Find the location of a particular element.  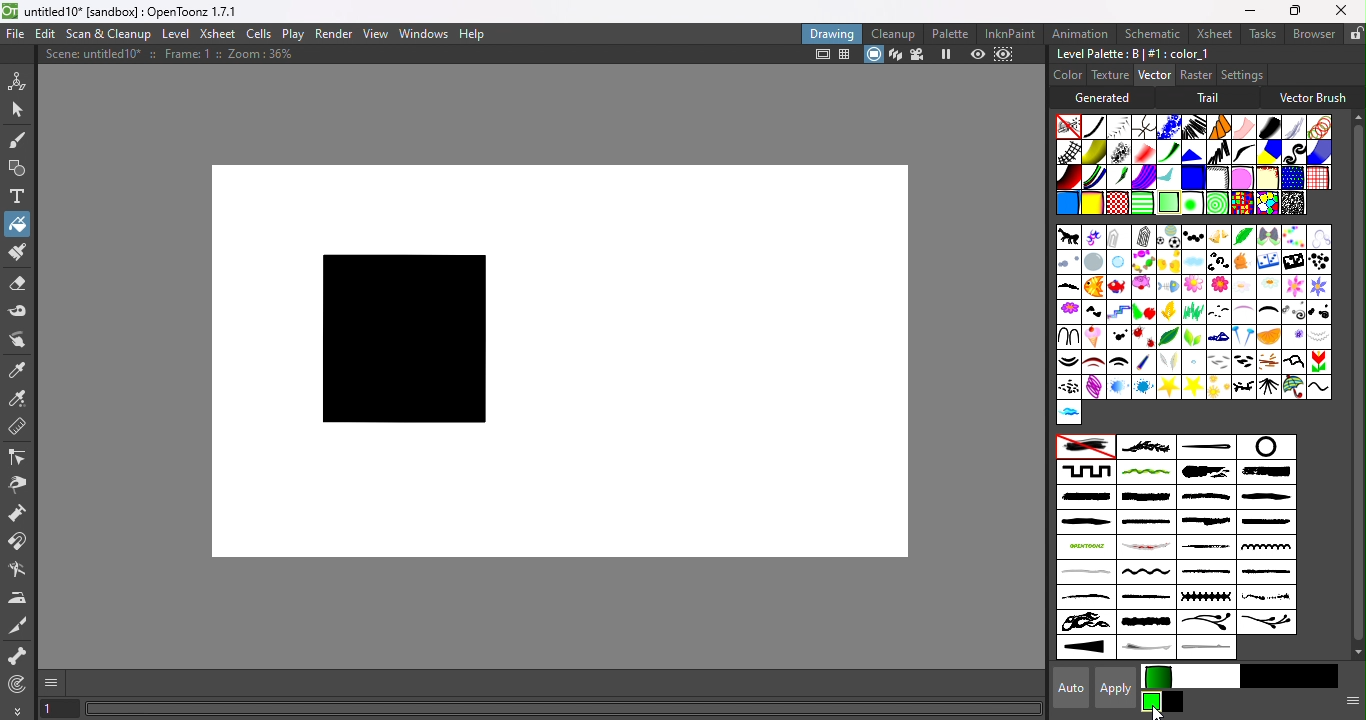

Curl is located at coordinates (1295, 152).